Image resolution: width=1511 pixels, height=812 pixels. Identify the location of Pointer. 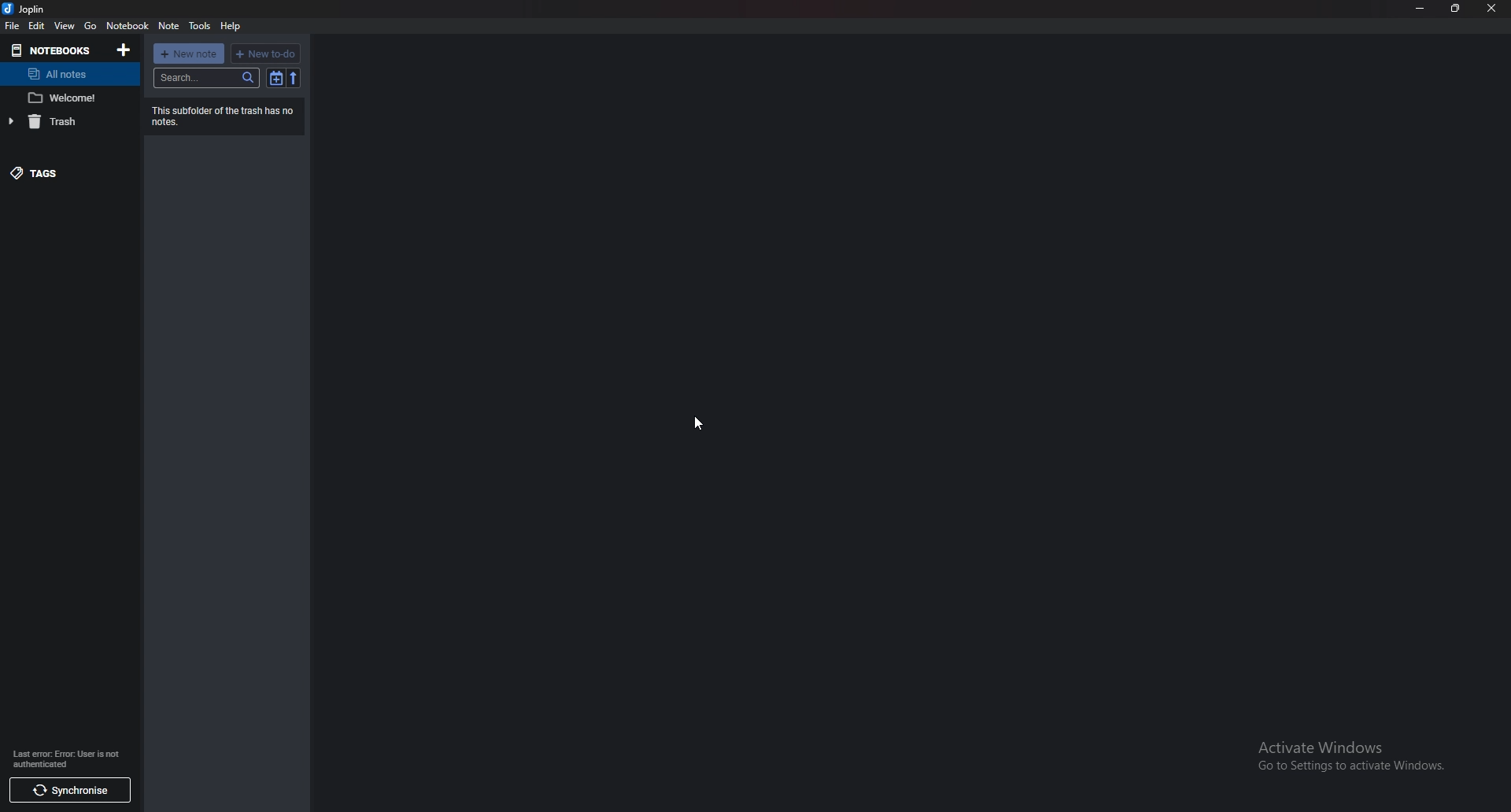
(699, 423).